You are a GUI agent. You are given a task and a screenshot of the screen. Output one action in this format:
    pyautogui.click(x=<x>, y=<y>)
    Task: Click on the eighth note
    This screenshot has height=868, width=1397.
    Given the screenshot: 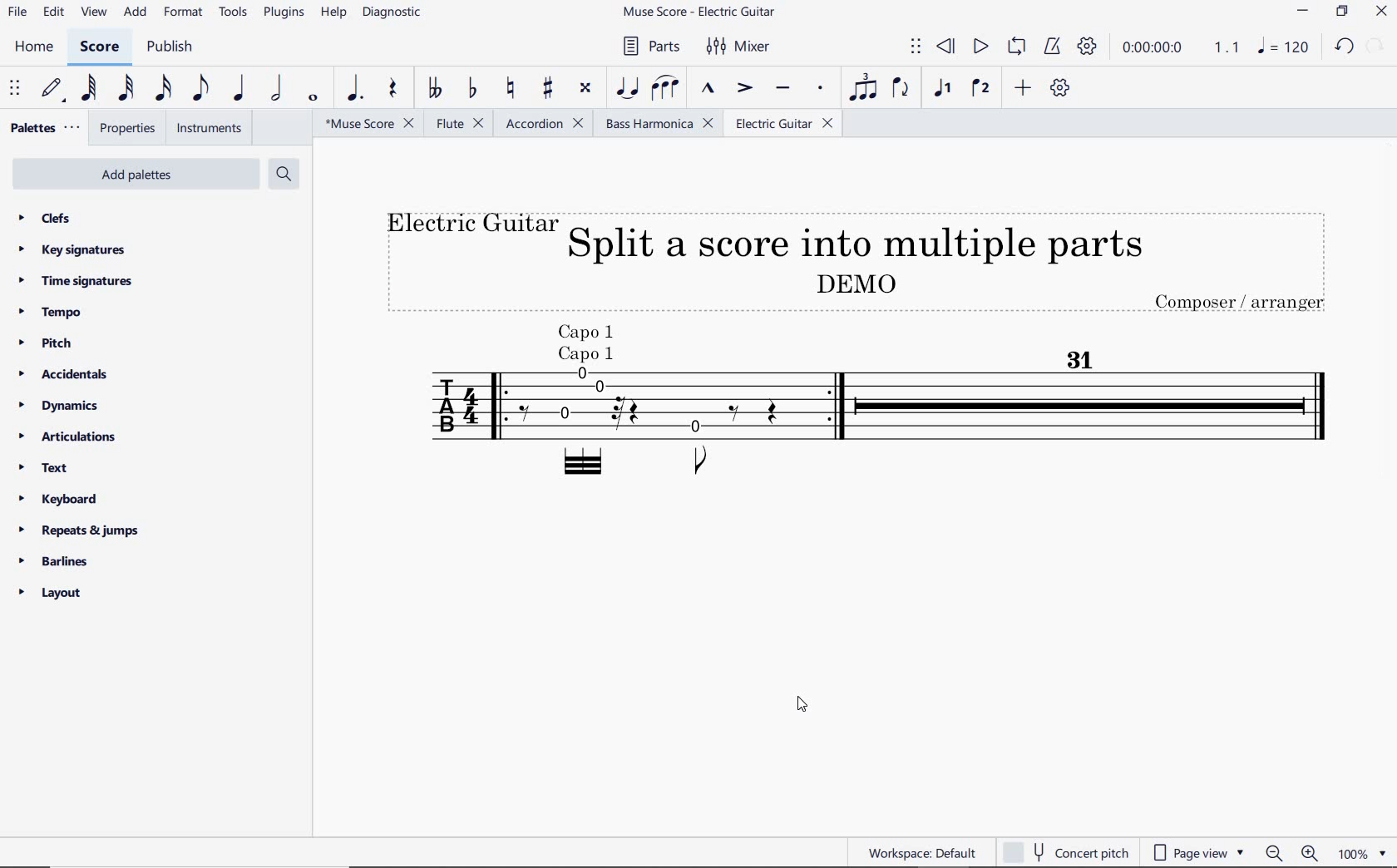 What is the action you would take?
    pyautogui.click(x=201, y=89)
    